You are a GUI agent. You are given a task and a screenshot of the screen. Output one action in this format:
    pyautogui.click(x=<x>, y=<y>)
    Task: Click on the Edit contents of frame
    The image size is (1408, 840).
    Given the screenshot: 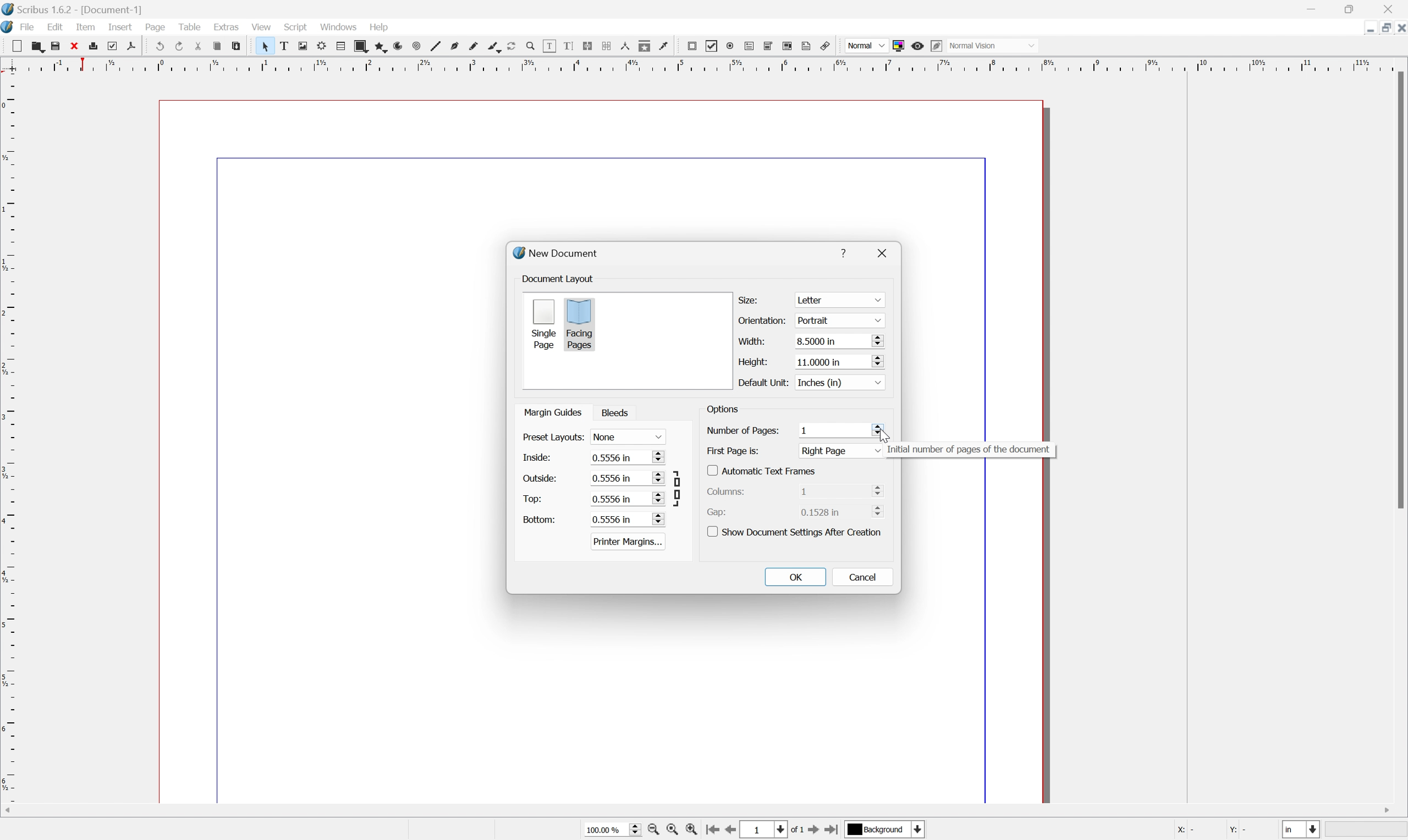 What is the action you would take?
    pyautogui.click(x=549, y=45)
    